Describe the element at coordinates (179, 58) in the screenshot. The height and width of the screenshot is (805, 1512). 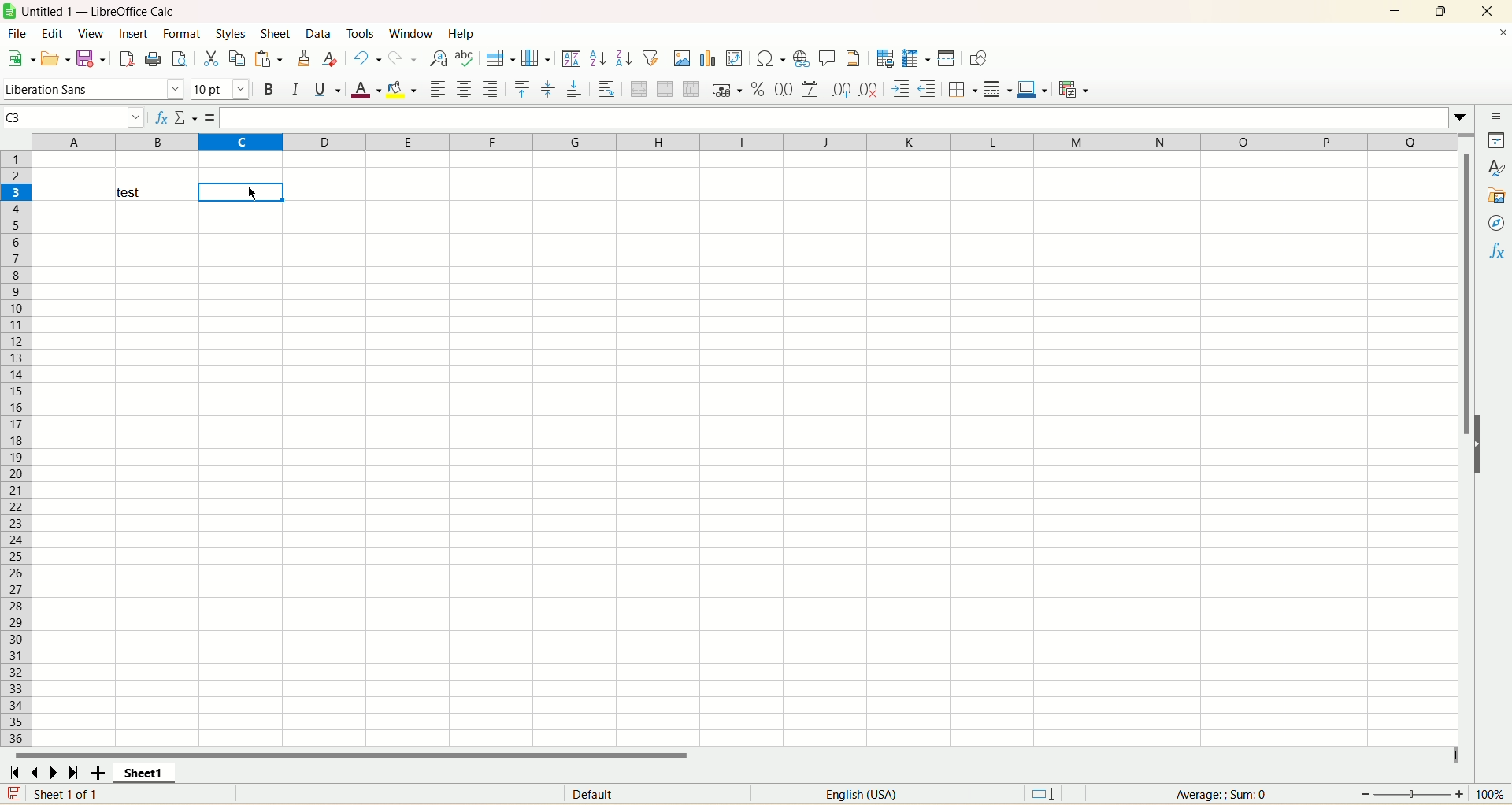
I see `print preview` at that location.